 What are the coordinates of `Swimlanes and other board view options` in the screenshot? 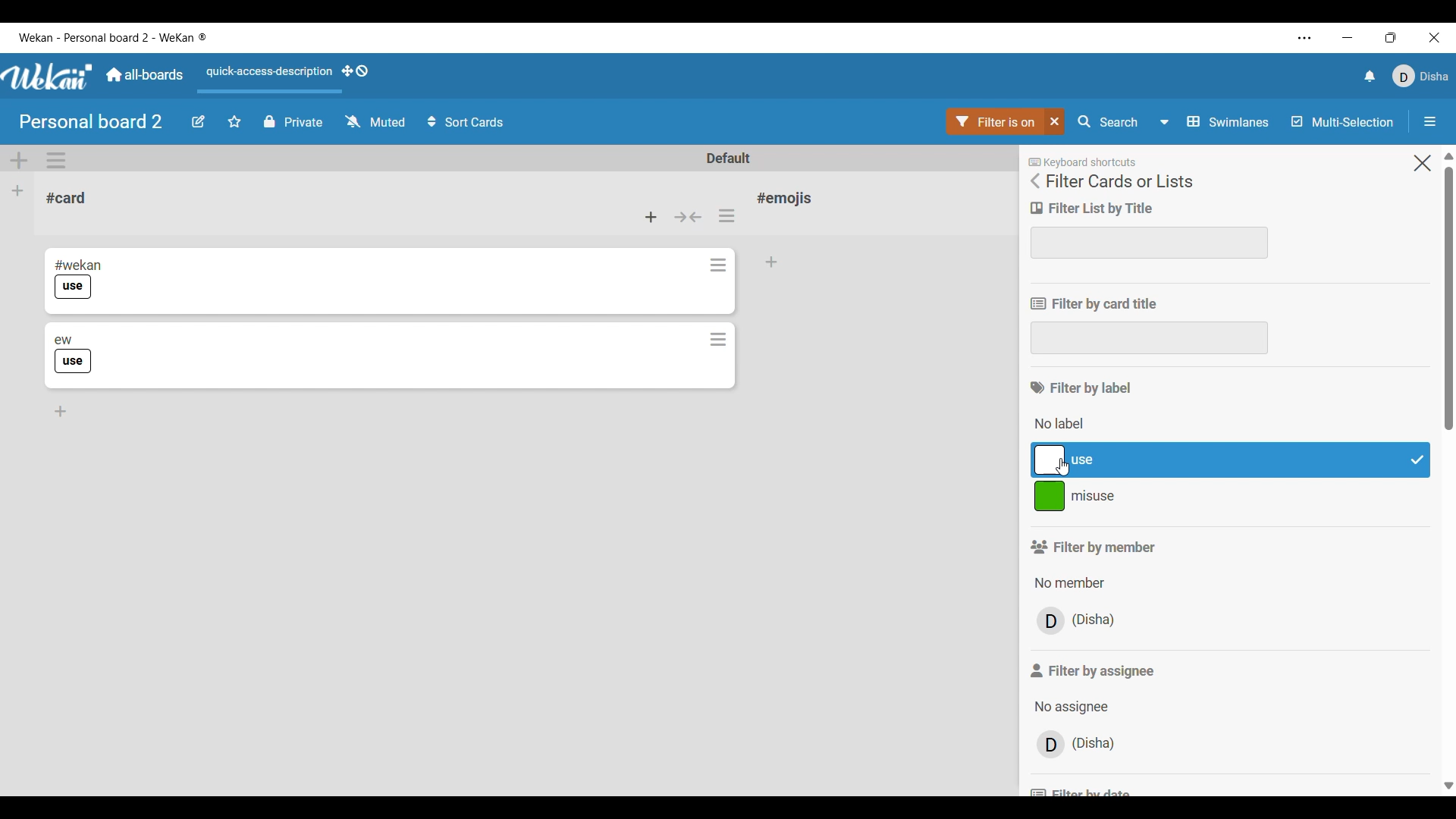 It's located at (1213, 121).